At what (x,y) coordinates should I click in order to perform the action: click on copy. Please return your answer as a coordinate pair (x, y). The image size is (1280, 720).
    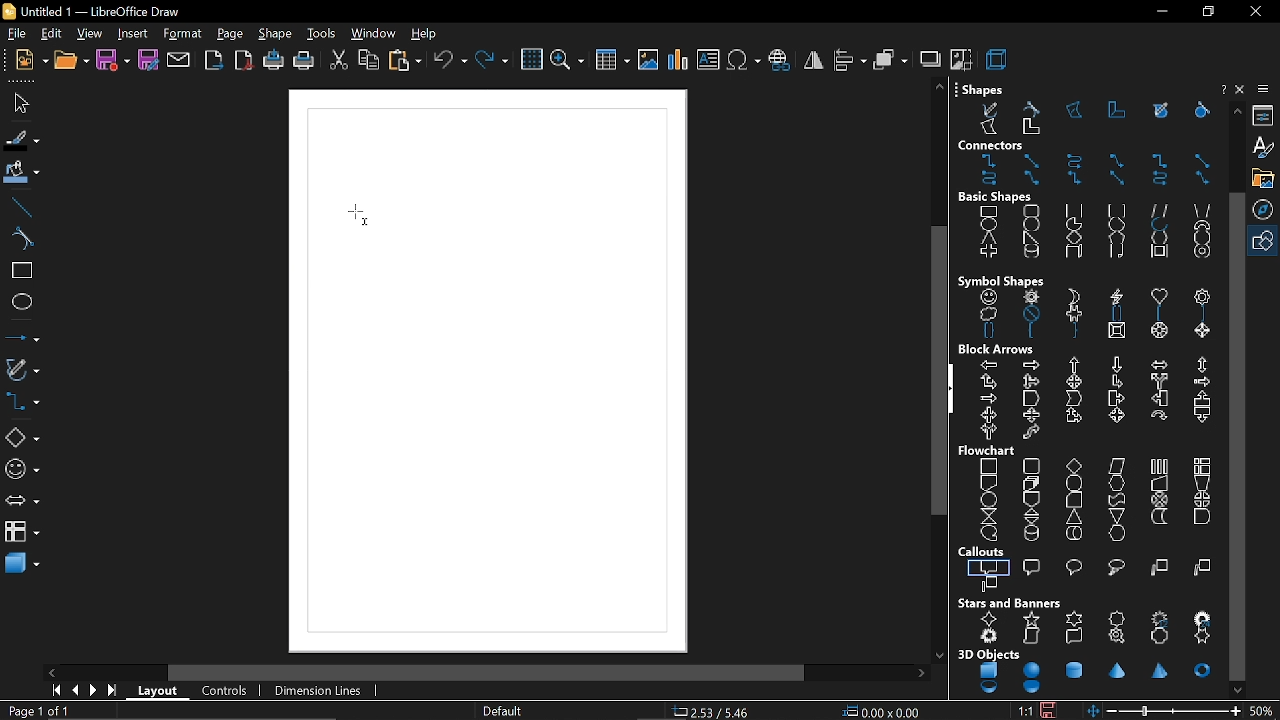
    Looking at the image, I should click on (369, 60).